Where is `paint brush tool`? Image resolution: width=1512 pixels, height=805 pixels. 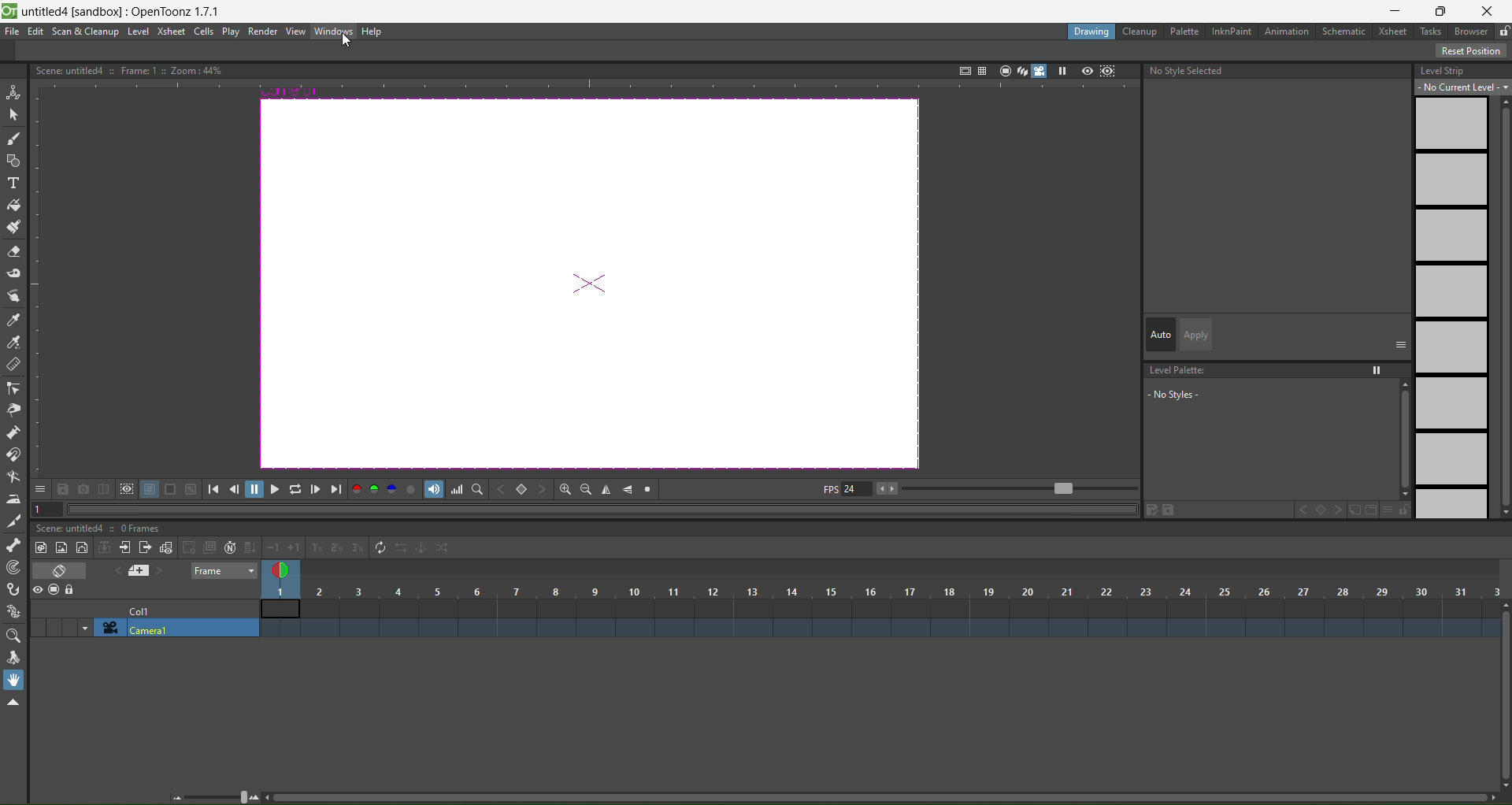 paint brush tool is located at coordinates (15, 228).